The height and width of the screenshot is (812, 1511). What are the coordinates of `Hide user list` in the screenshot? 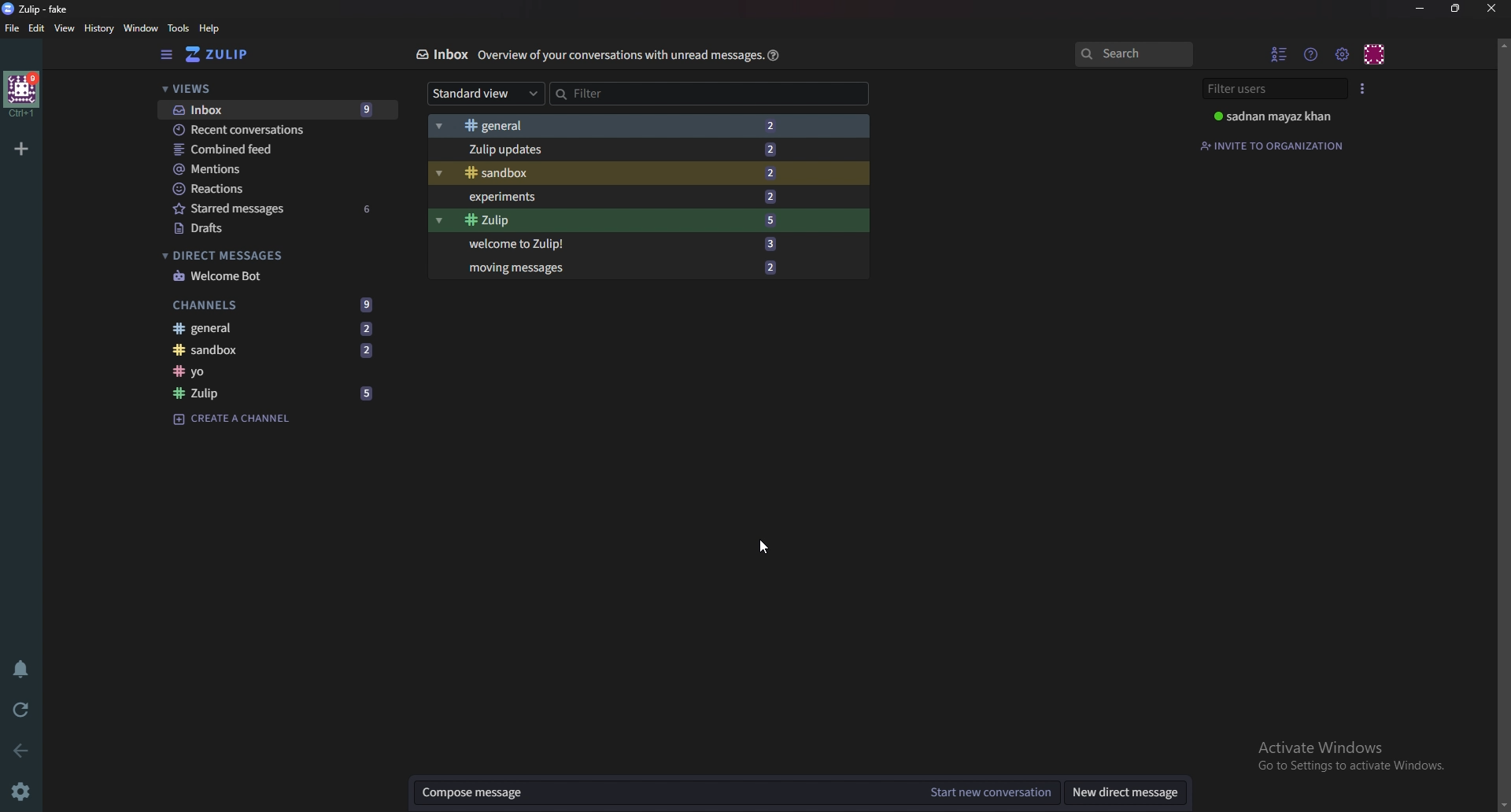 It's located at (1276, 54).